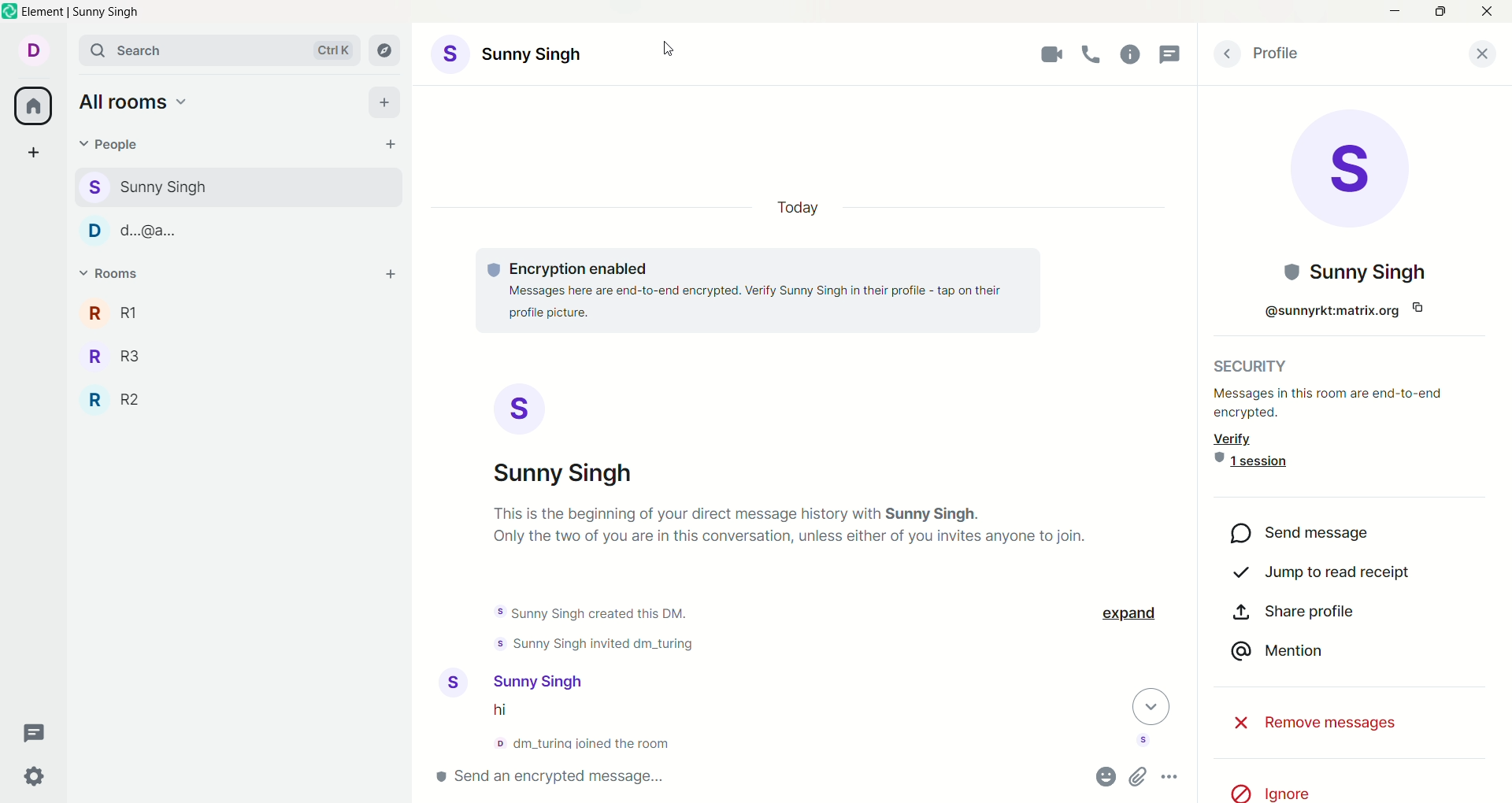 This screenshot has height=803, width=1512. I want to click on close, so click(1486, 12).